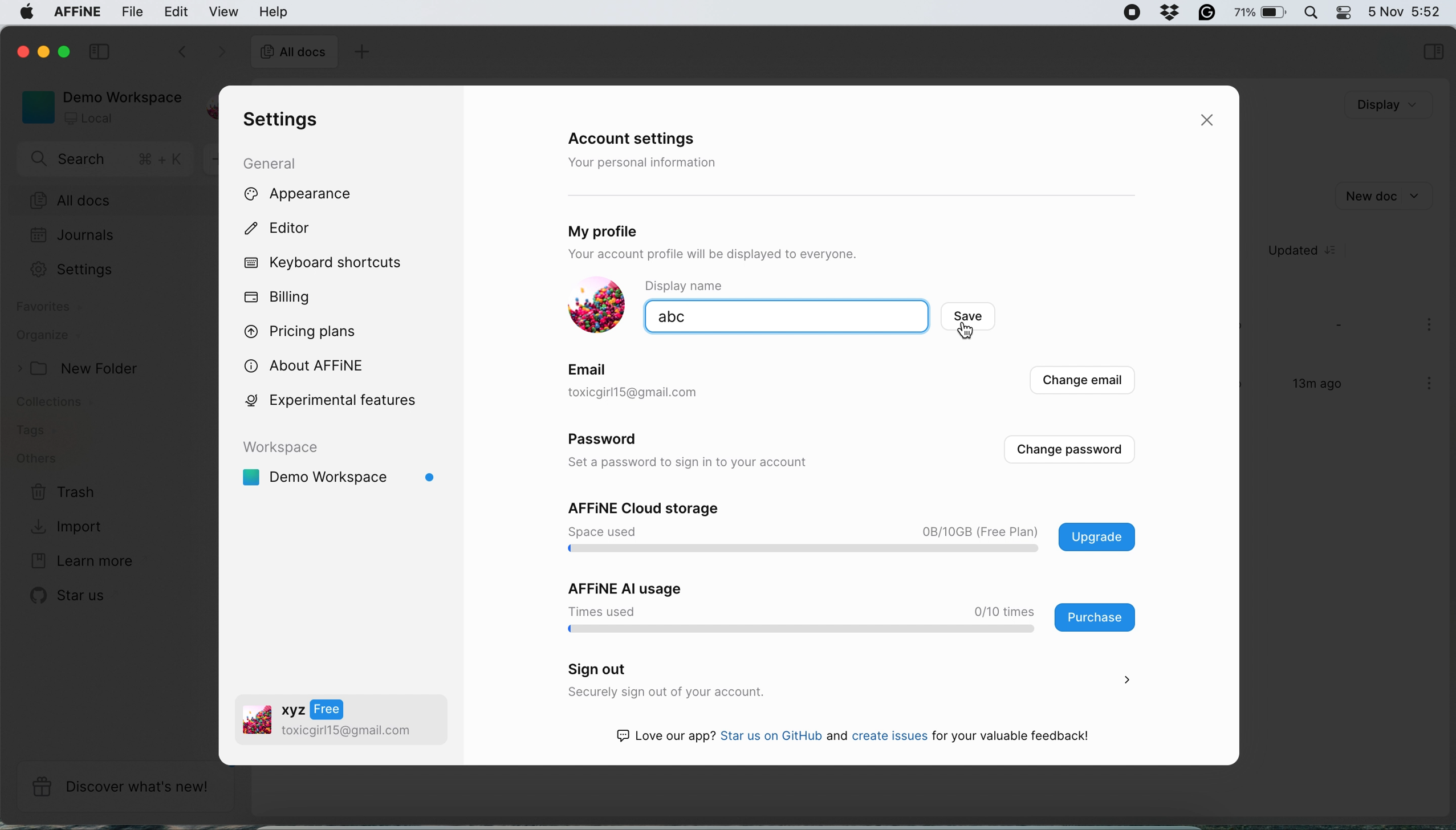 Image resolution: width=1456 pixels, height=830 pixels. What do you see at coordinates (1431, 385) in the screenshot?
I see `more options` at bounding box center [1431, 385].